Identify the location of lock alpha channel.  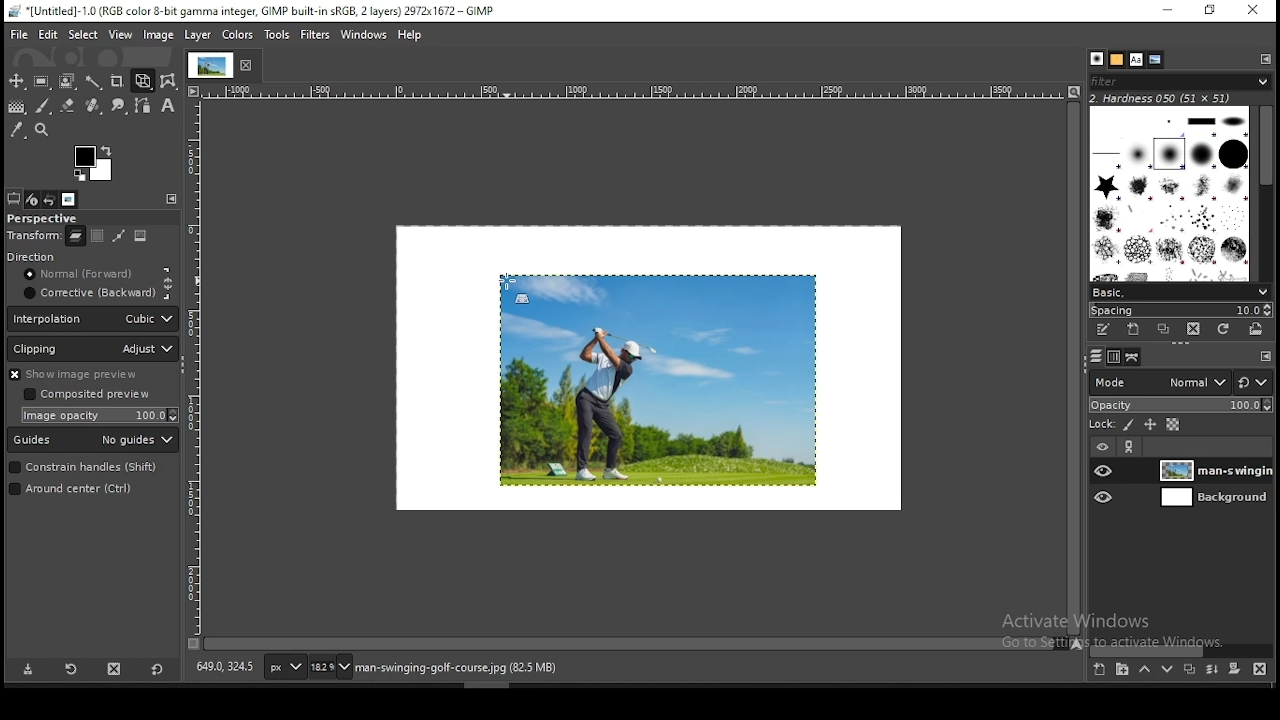
(1172, 426).